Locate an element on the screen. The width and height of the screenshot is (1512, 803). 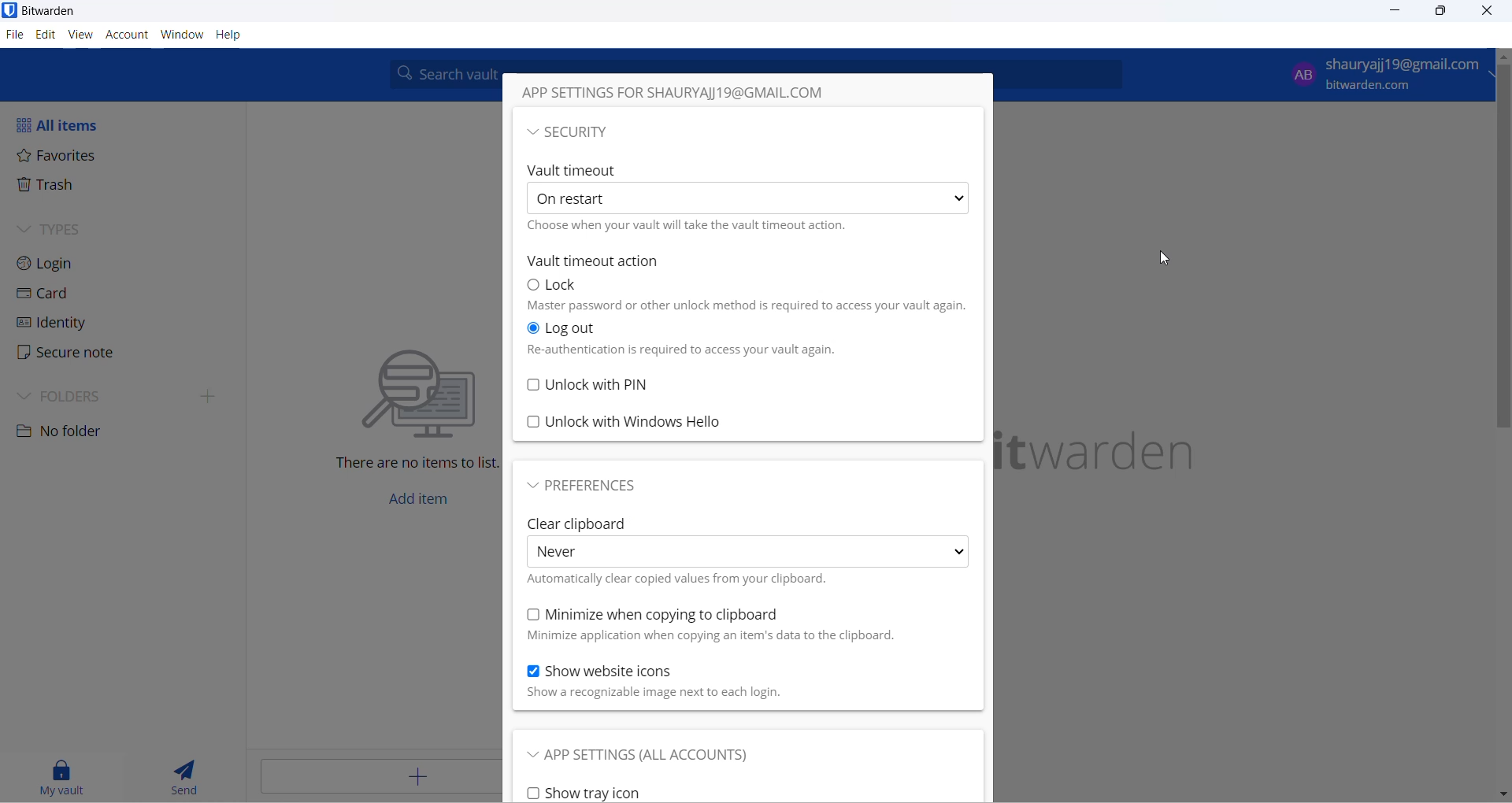
preferences button is located at coordinates (588, 487).